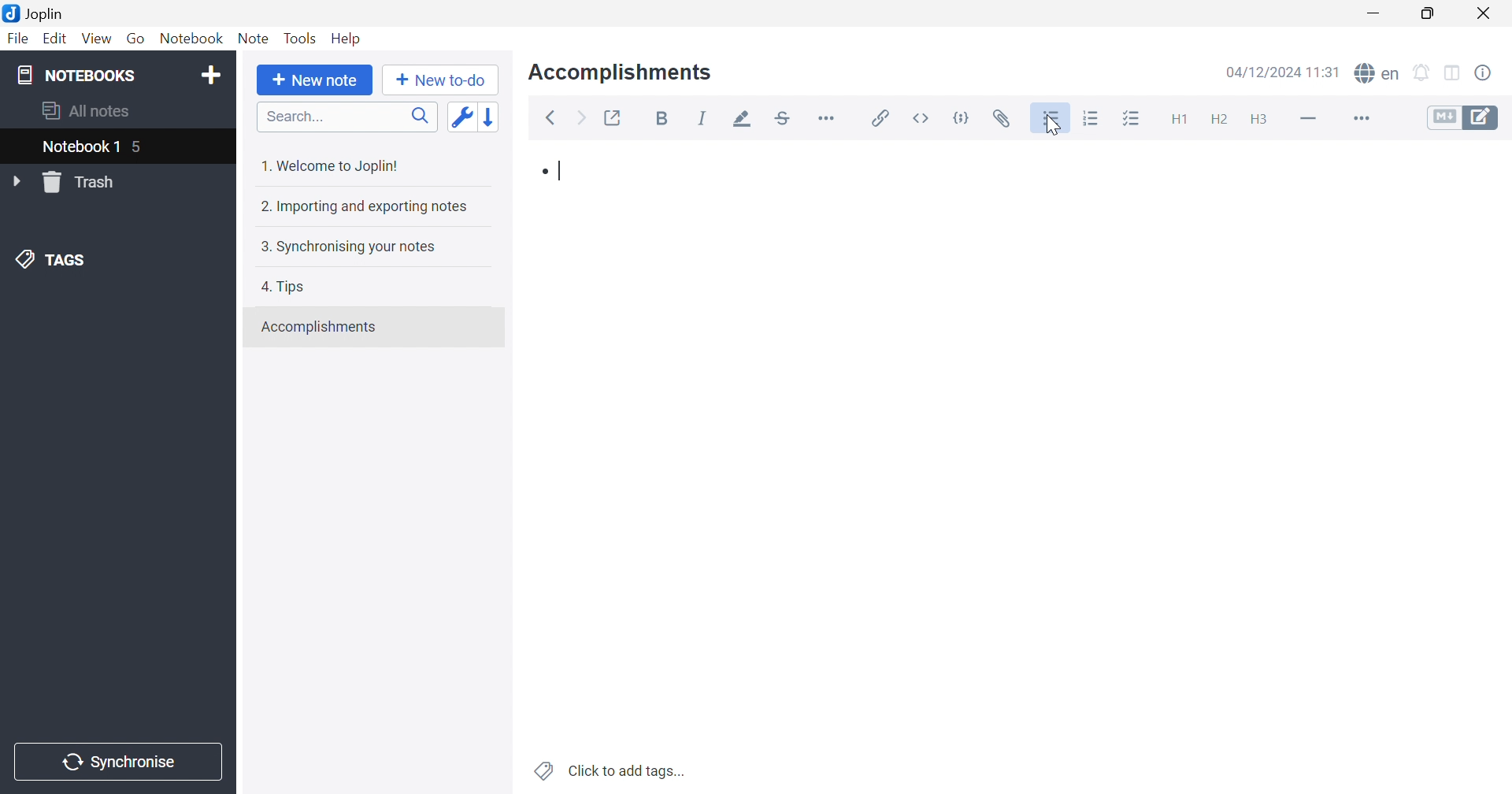 Image resolution: width=1512 pixels, height=794 pixels. I want to click on Synchronise, so click(115, 762).